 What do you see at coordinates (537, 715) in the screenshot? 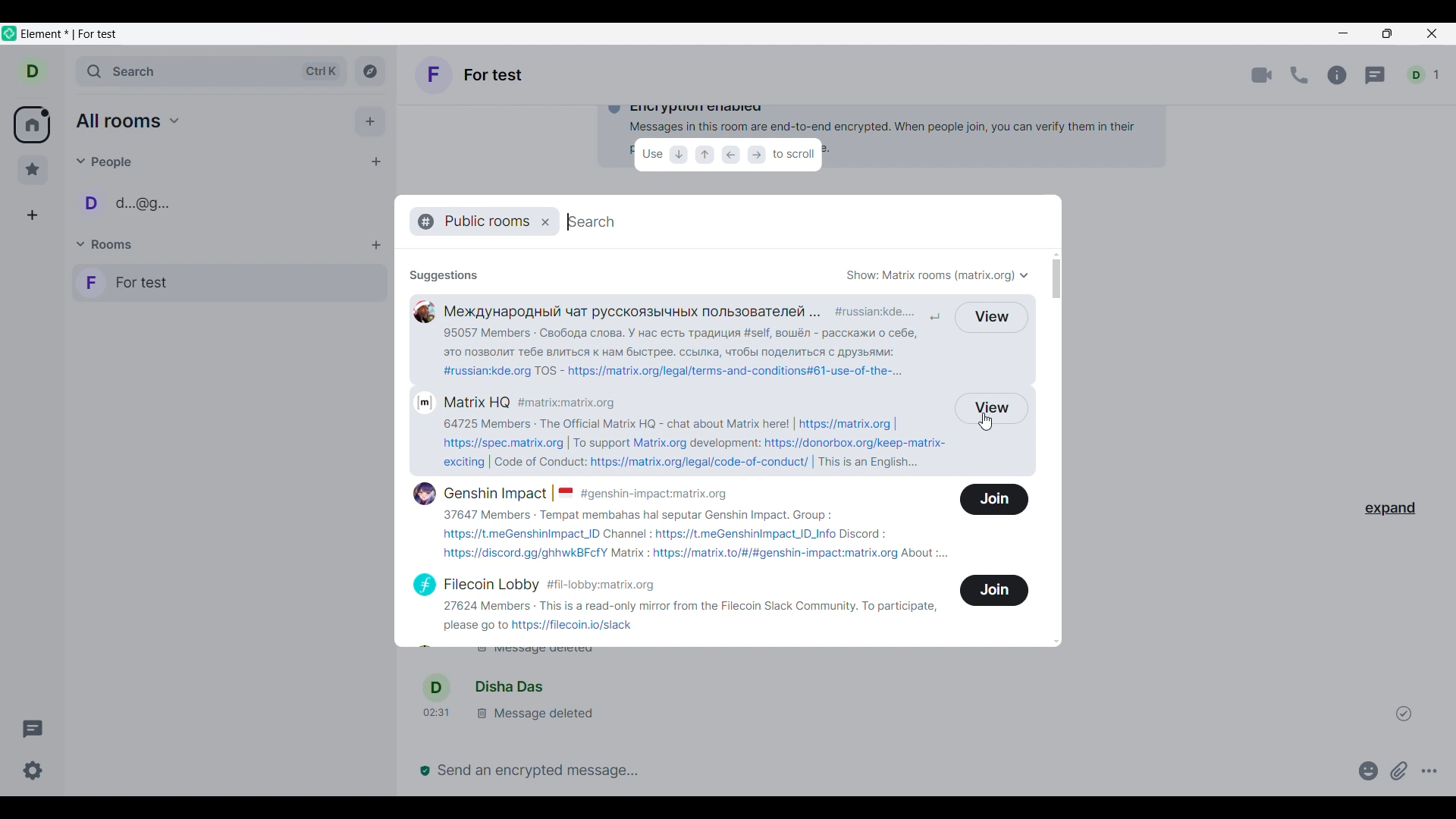
I see `message deleted` at bounding box center [537, 715].